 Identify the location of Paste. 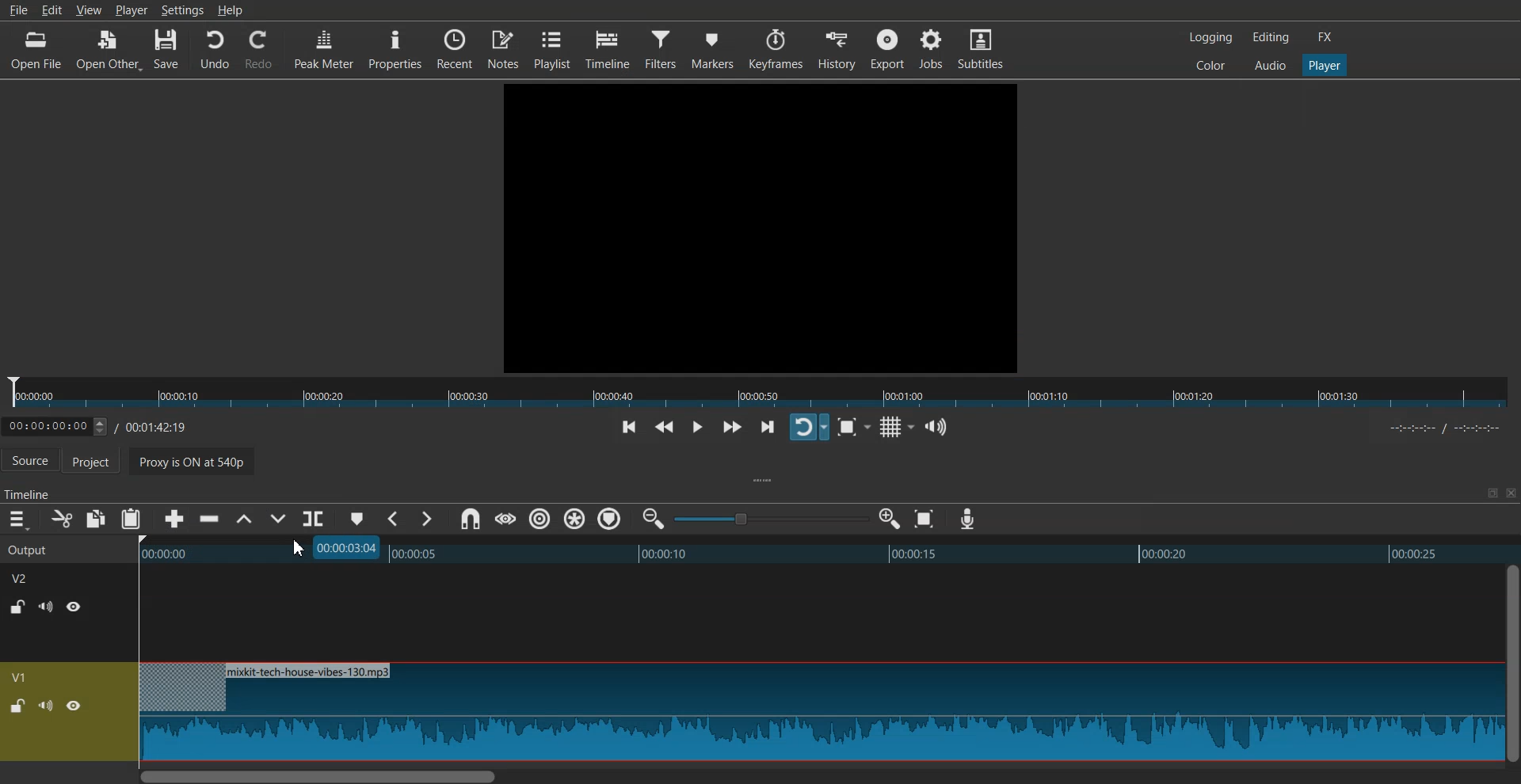
(131, 519).